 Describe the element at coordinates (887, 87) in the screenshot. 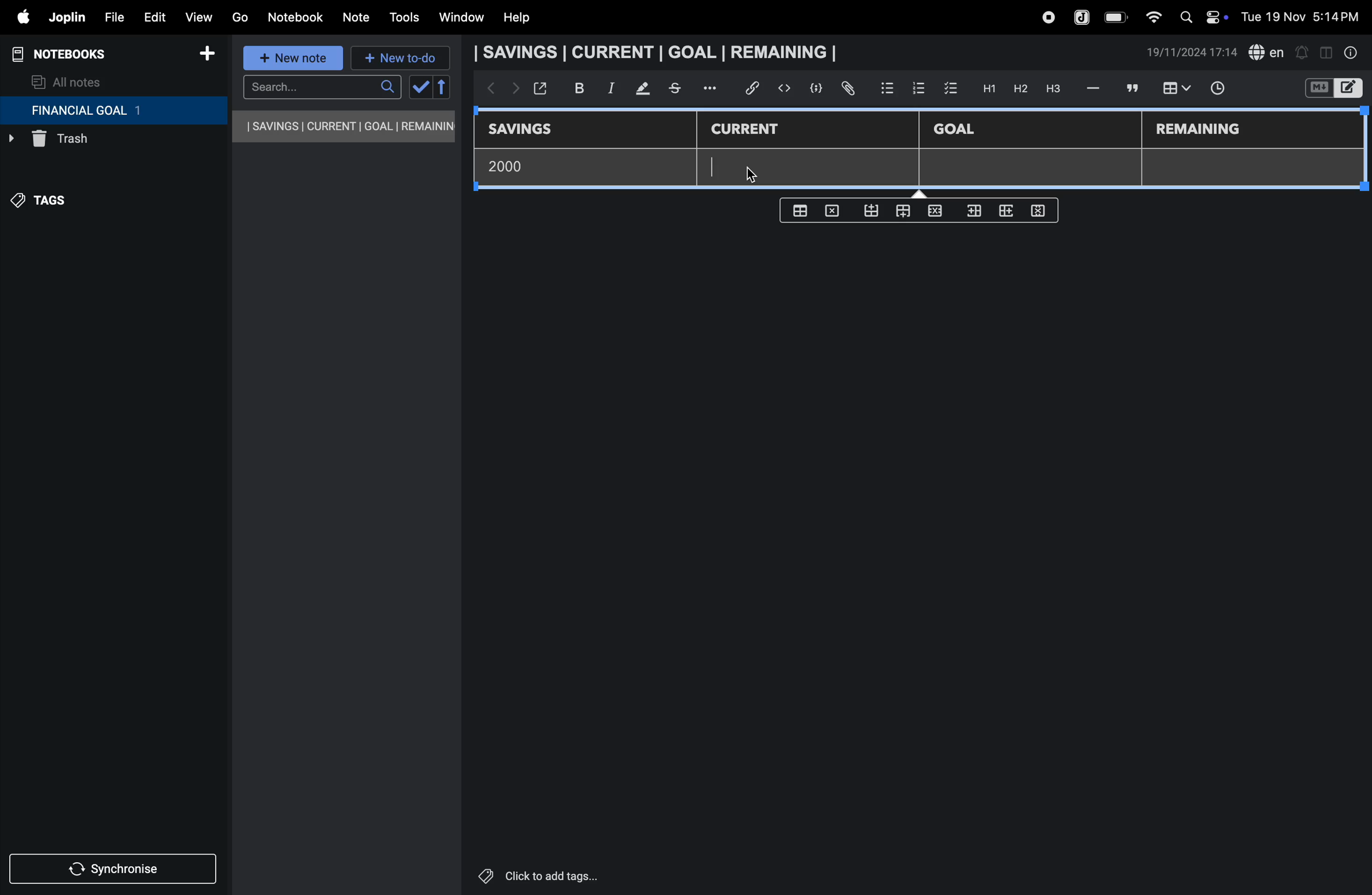

I see `bullet list` at that location.